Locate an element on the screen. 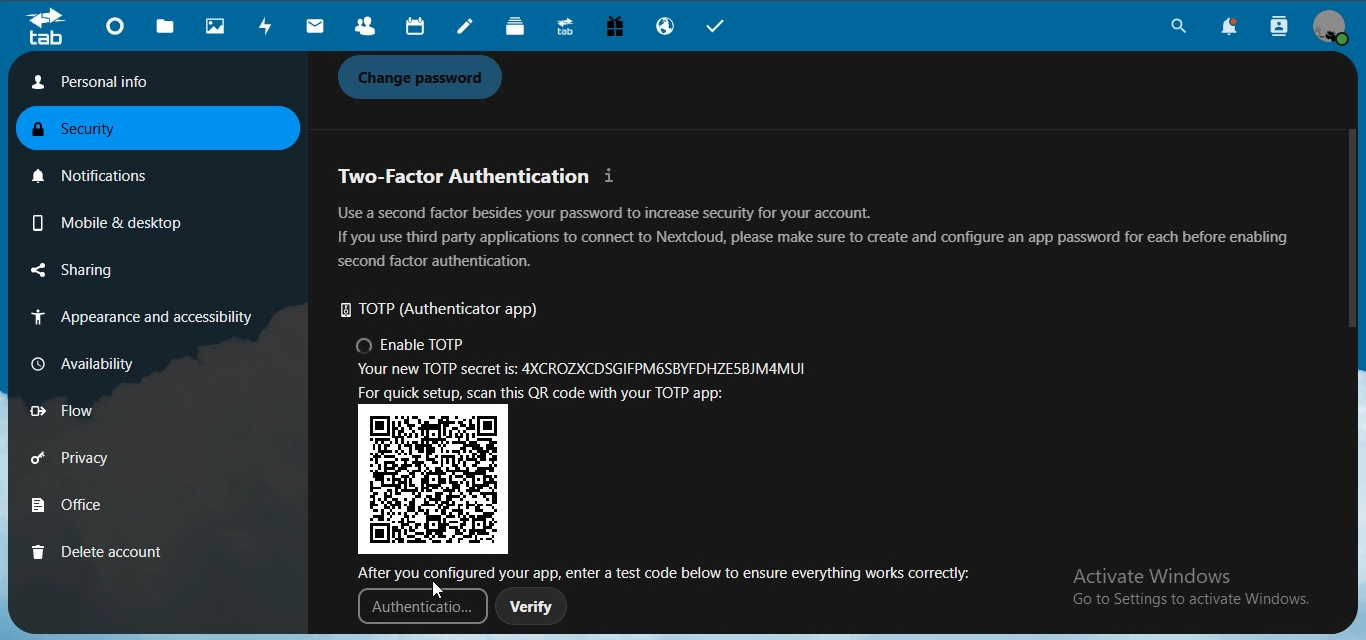 Image resolution: width=1366 pixels, height=640 pixels. TOTP secret is located at coordinates (586, 372).